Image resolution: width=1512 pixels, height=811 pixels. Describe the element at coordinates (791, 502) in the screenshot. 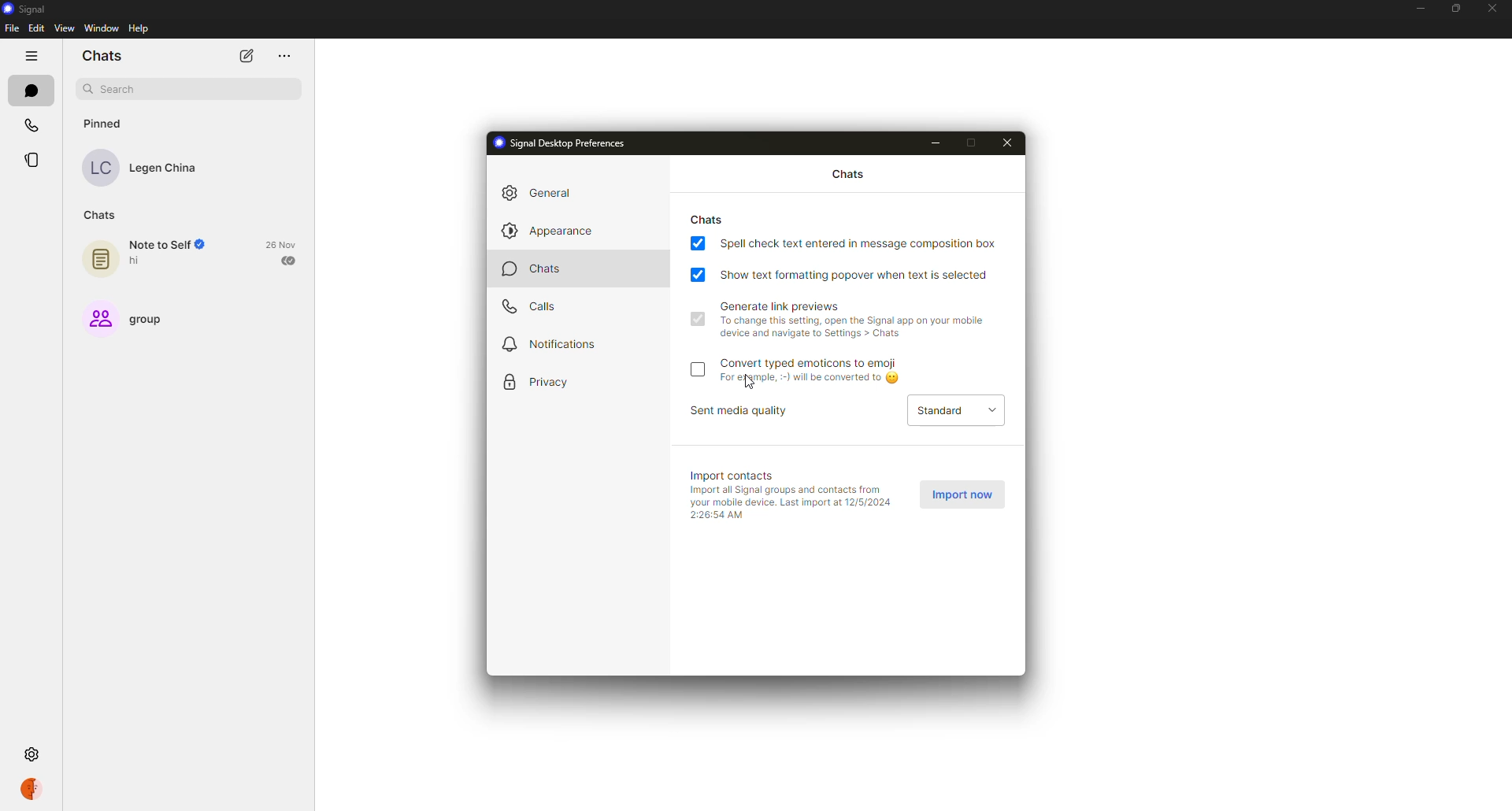

I see `info` at that location.